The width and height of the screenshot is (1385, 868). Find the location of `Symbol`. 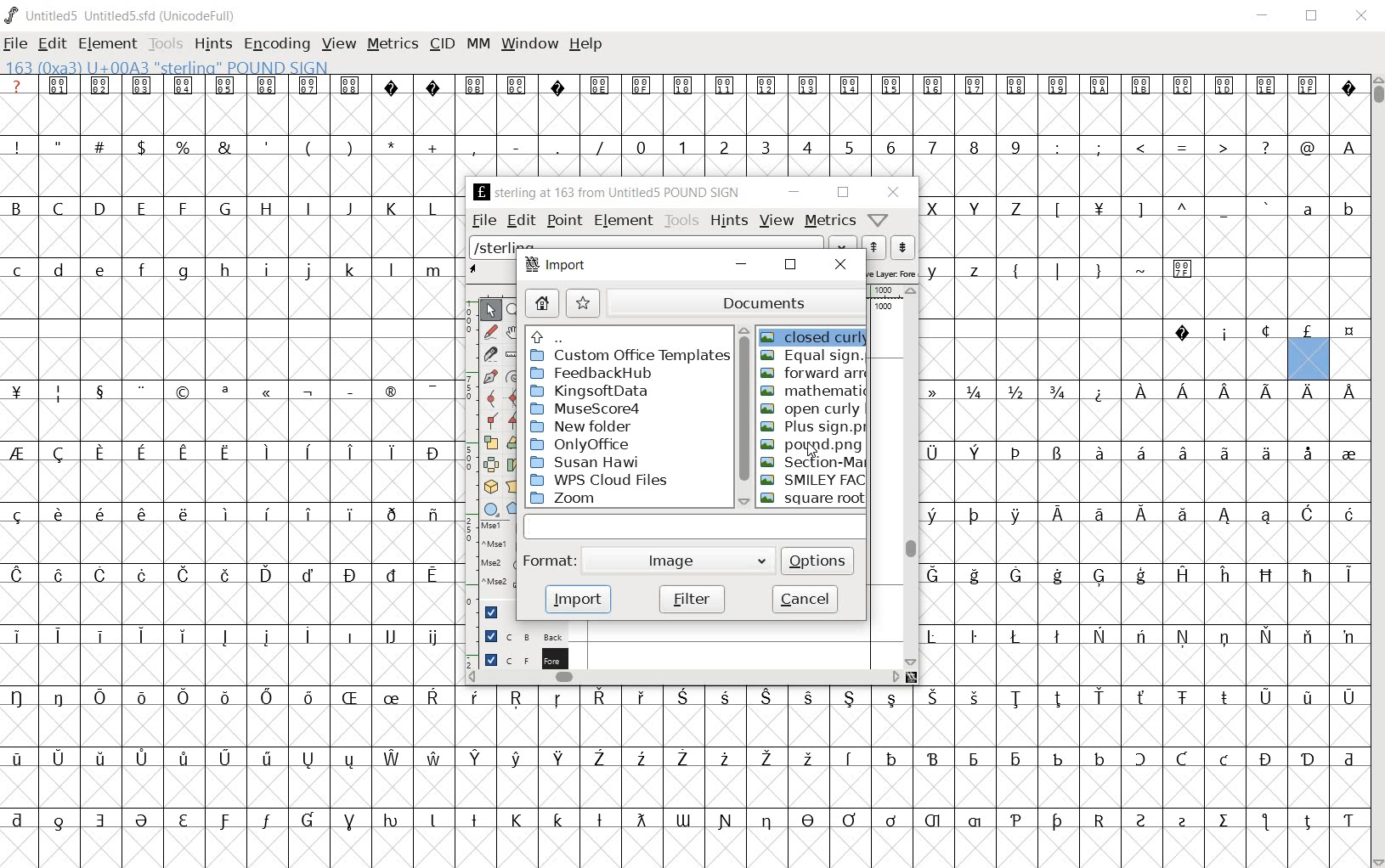

Symbol is located at coordinates (349, 822).